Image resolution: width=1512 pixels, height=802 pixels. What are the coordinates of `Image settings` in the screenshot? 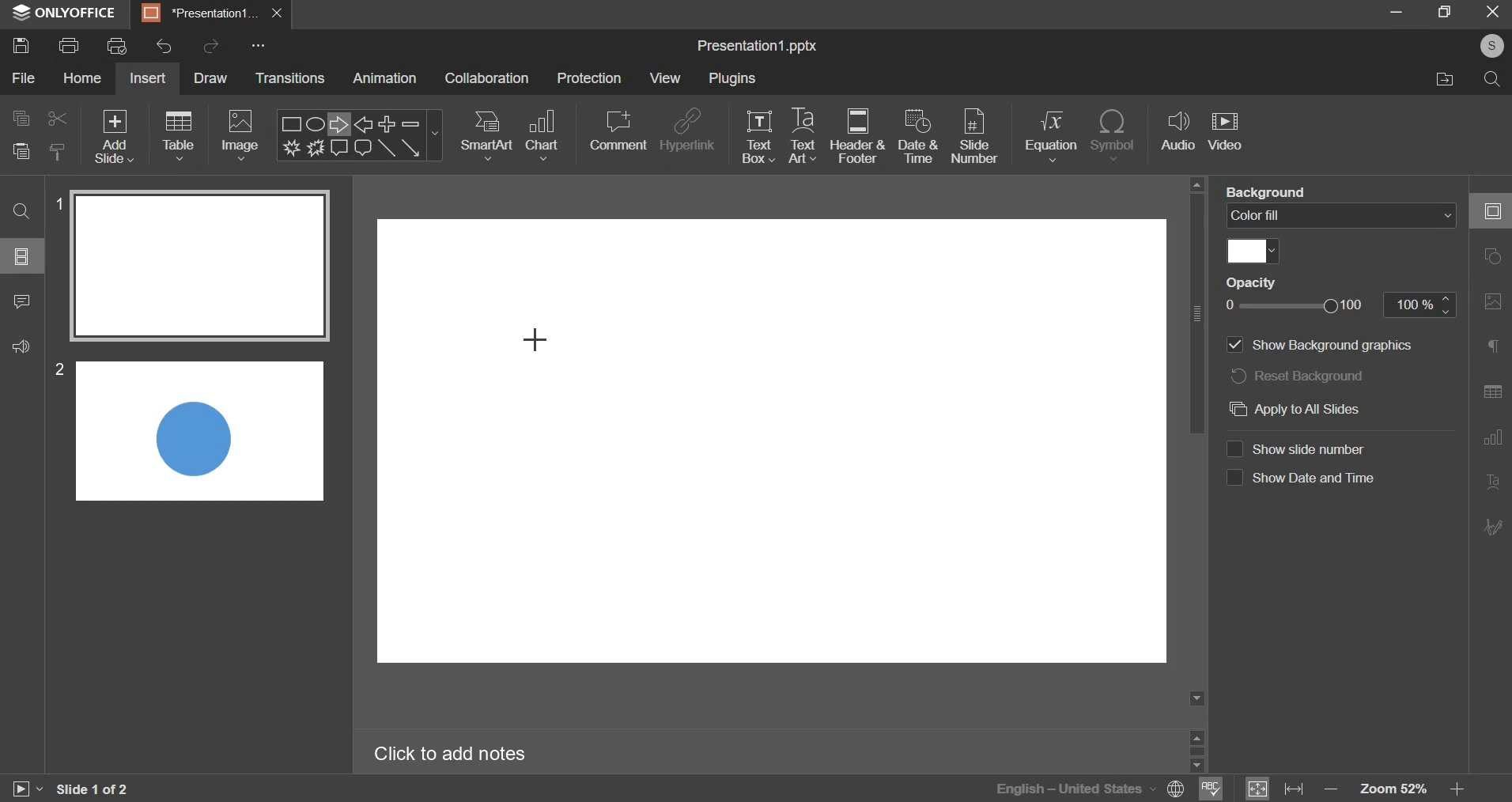 It's located at (1494, 301).